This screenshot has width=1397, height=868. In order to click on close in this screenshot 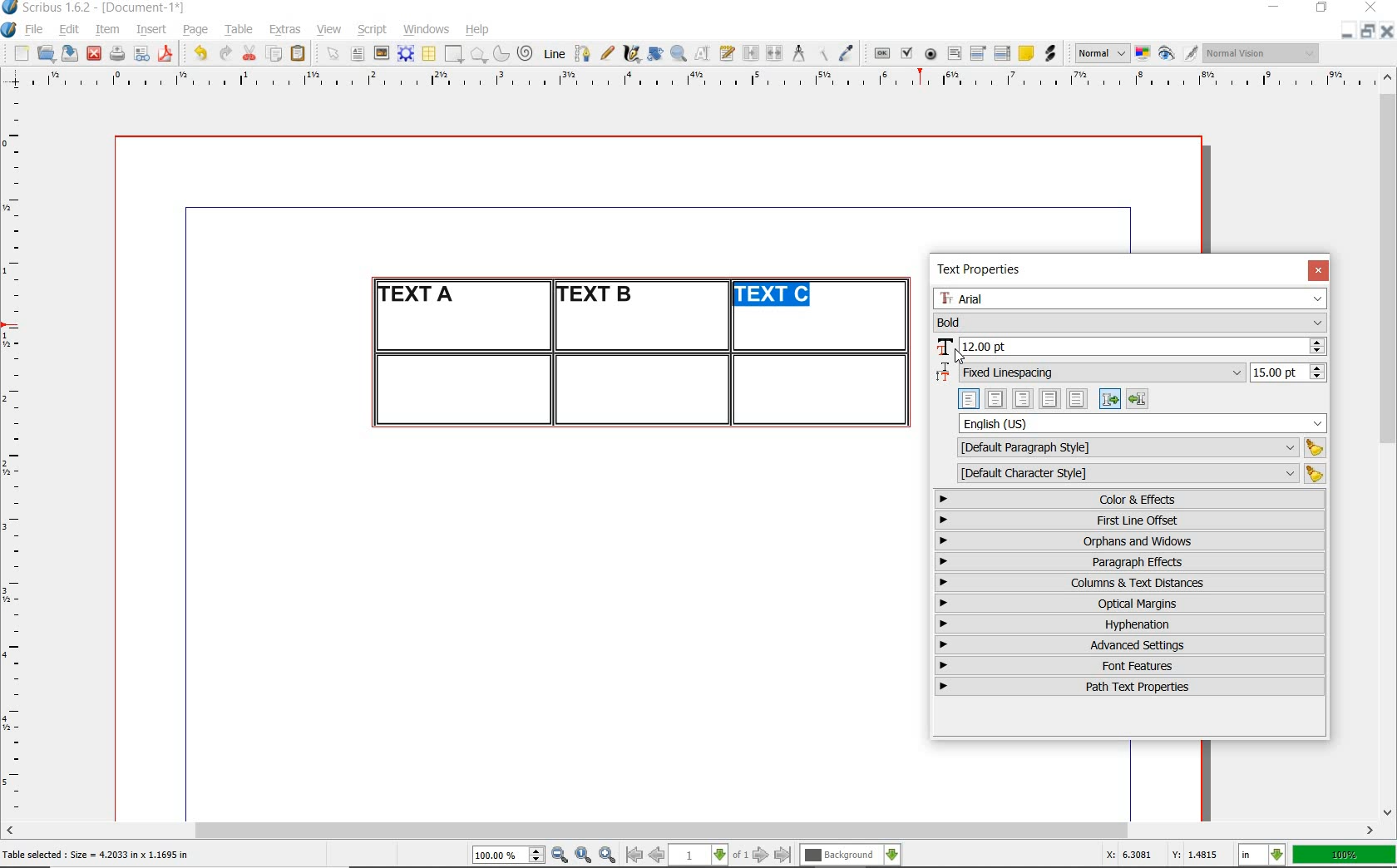, I will do `click(1318, 270)`.